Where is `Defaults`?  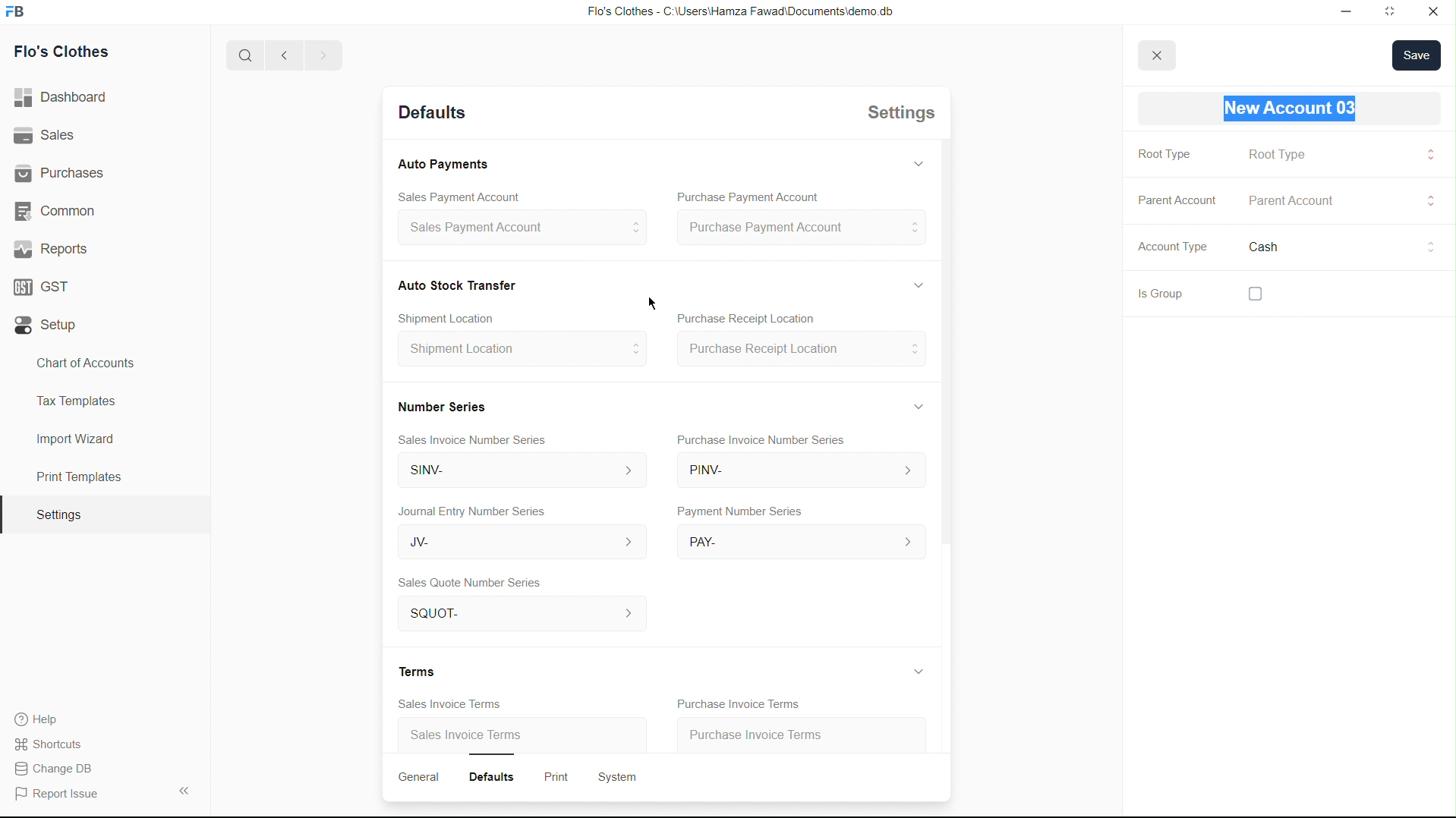 Defaults is located at coordinates (498, 775).